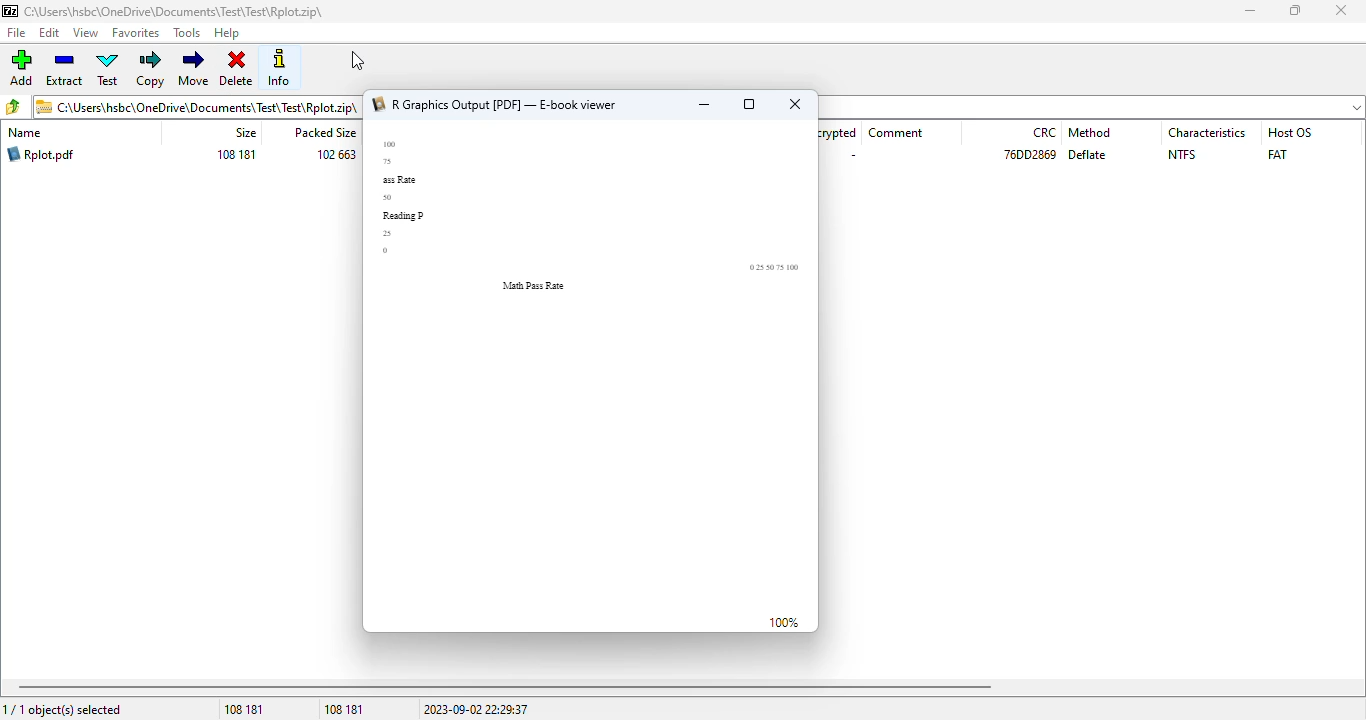 This screenshot has width=1366, height=720. What do you see at coordinates (1031, 155) in the screenshot?
I see `76DD2869` at bounding box center [1031, 155].